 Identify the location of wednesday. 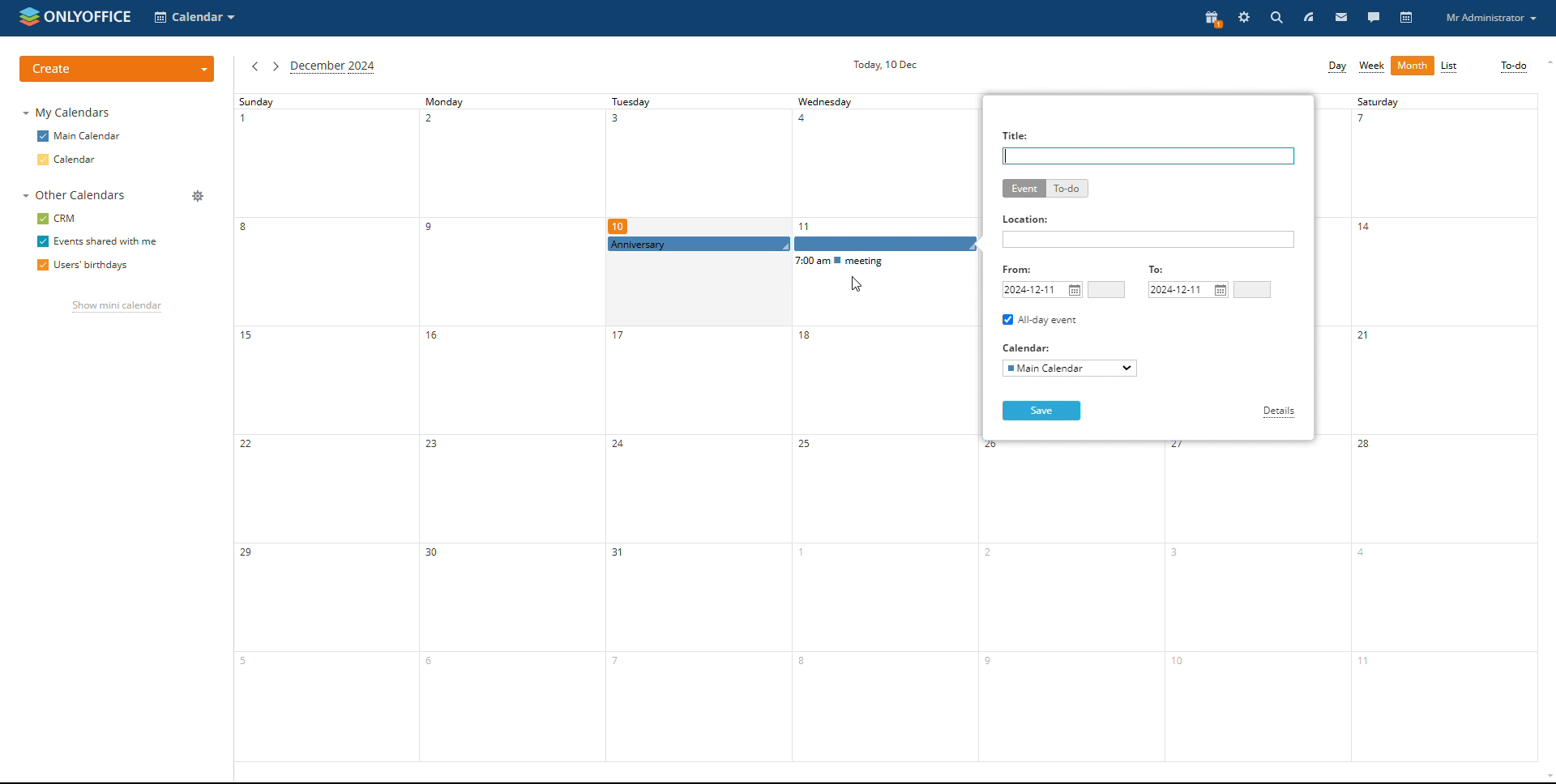
(883, 428).